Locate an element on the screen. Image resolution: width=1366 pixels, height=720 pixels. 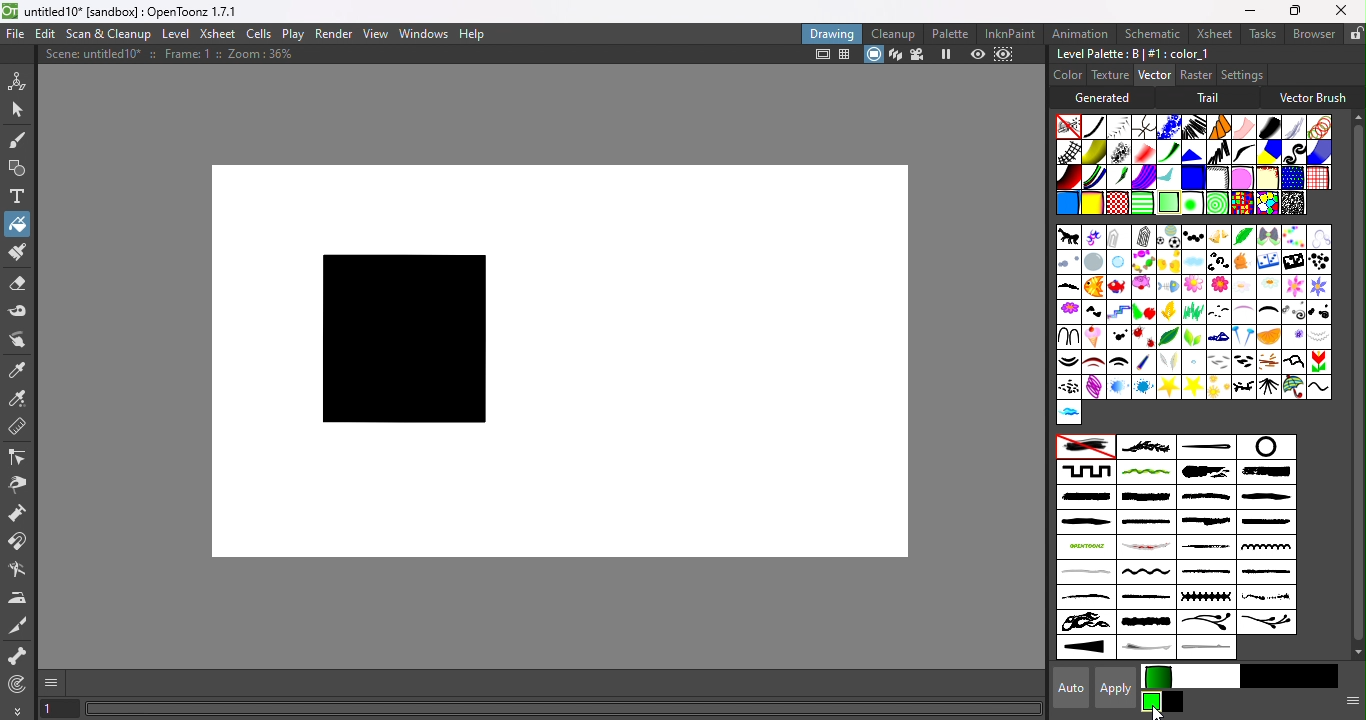
Concentric is located at coordinates (1213, 203).